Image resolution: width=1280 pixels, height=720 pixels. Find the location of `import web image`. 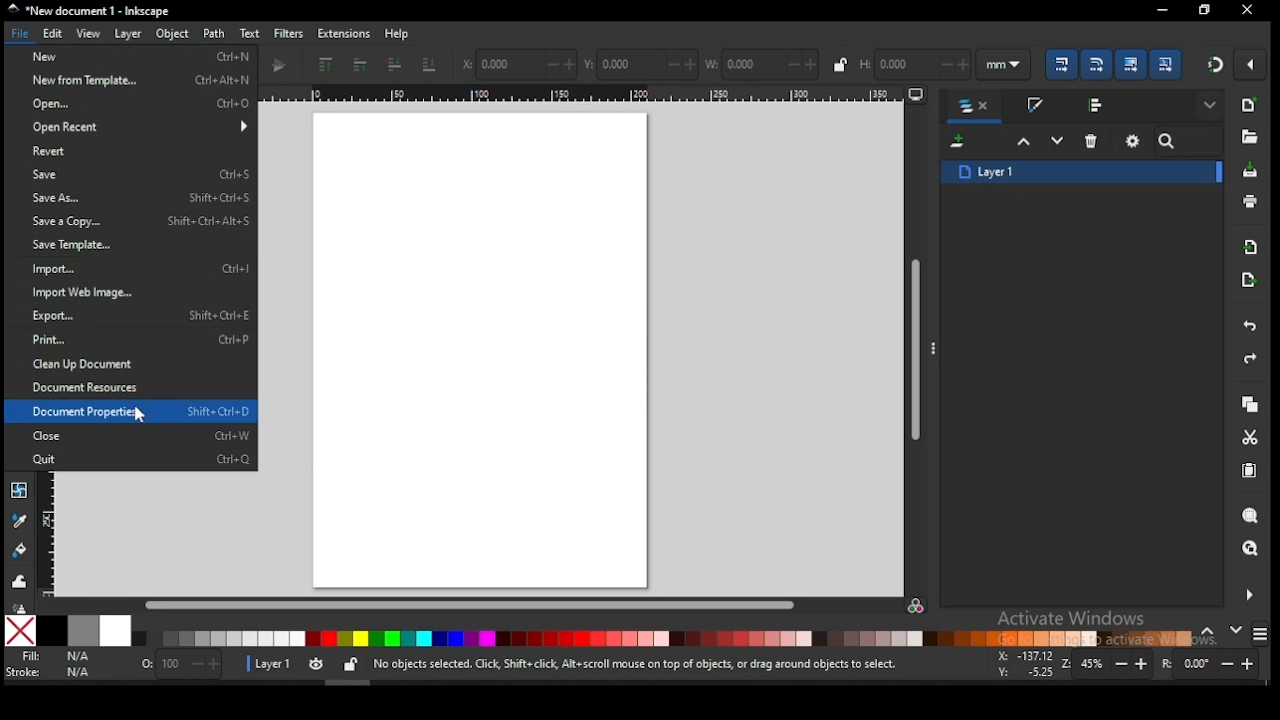

import web image is located at coordinates (93, 294).